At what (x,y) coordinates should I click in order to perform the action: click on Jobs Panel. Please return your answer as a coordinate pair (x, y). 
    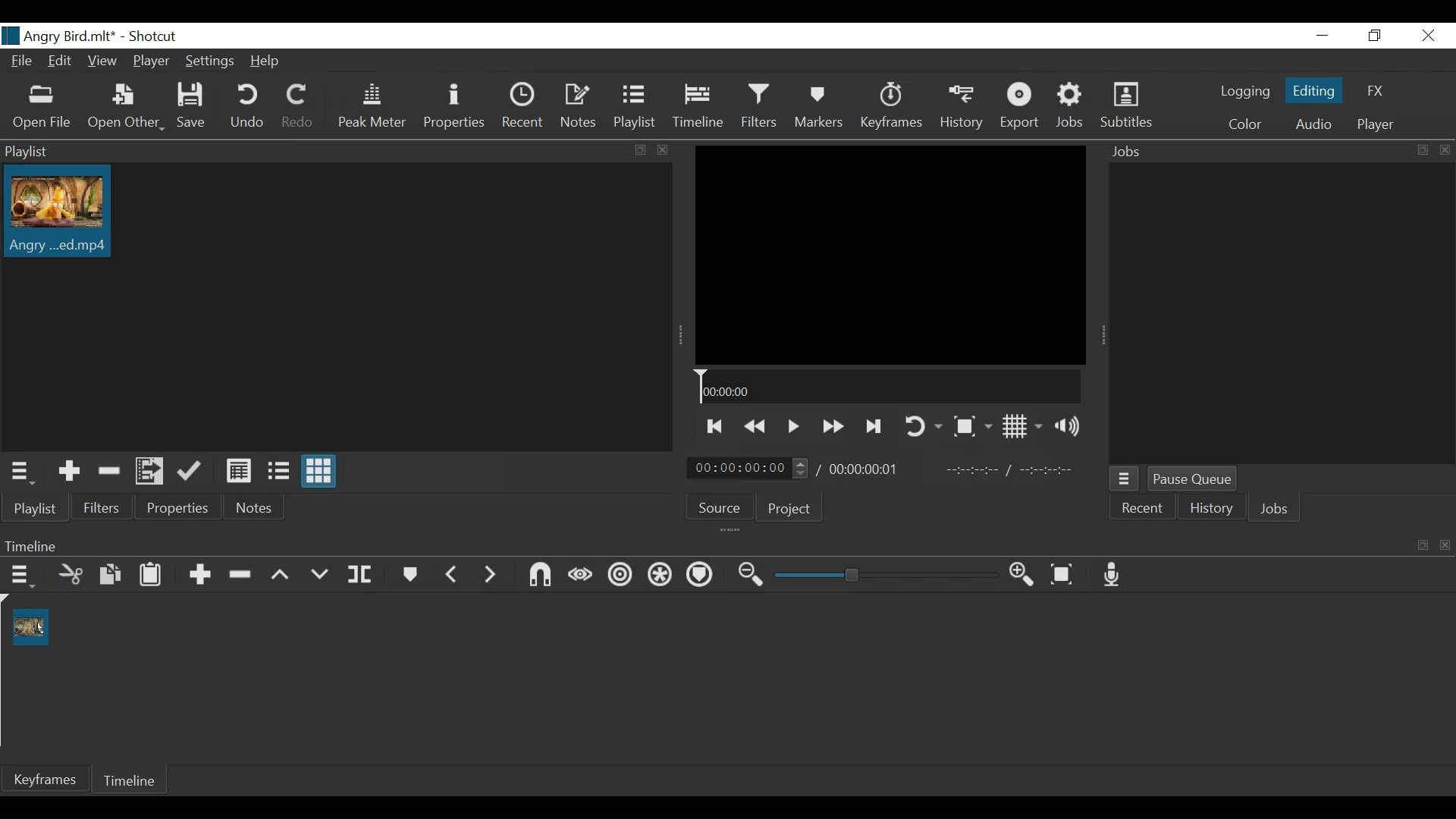
    Looking at the image, I should click on (1282, 149).